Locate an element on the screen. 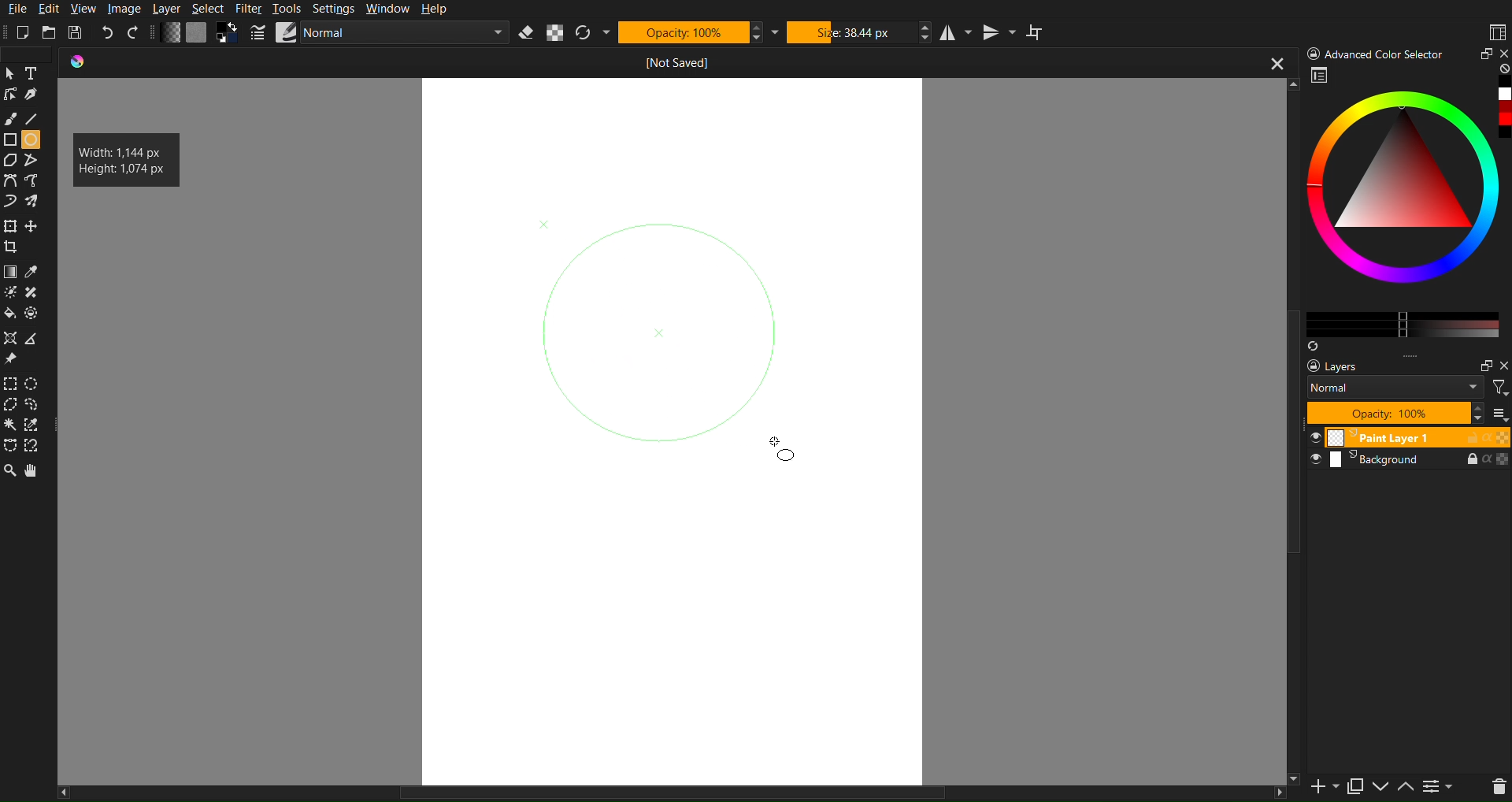 Image resolution: width=1512 pixels, height=802 pixels. Horizontal Mirror is located at coordinates (952, 32).